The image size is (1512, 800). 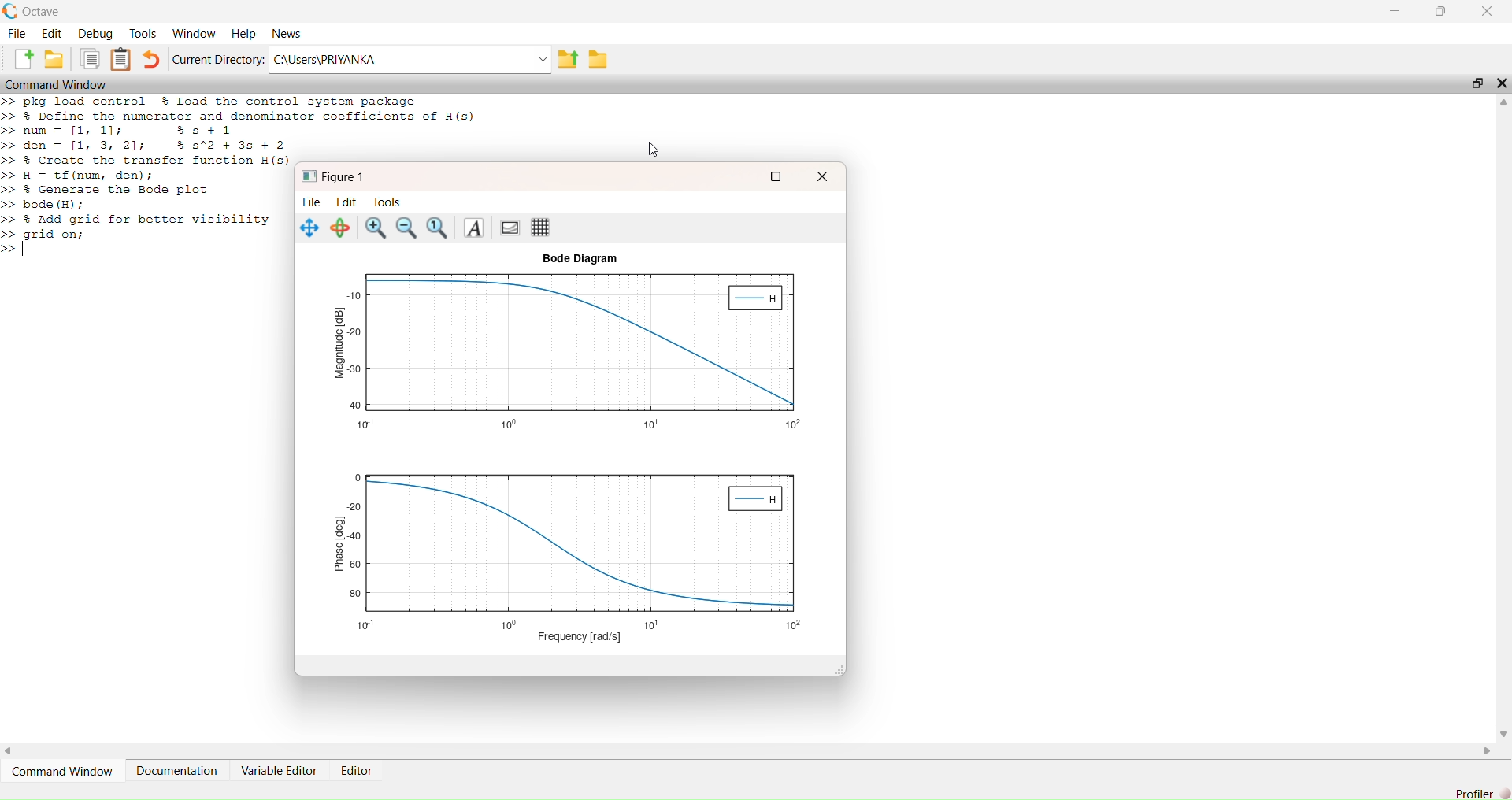 What do you see at coordinates (1504, 418) in the screenshot?
I see `vertical scroll bar` at bounding box center [1504, 418].